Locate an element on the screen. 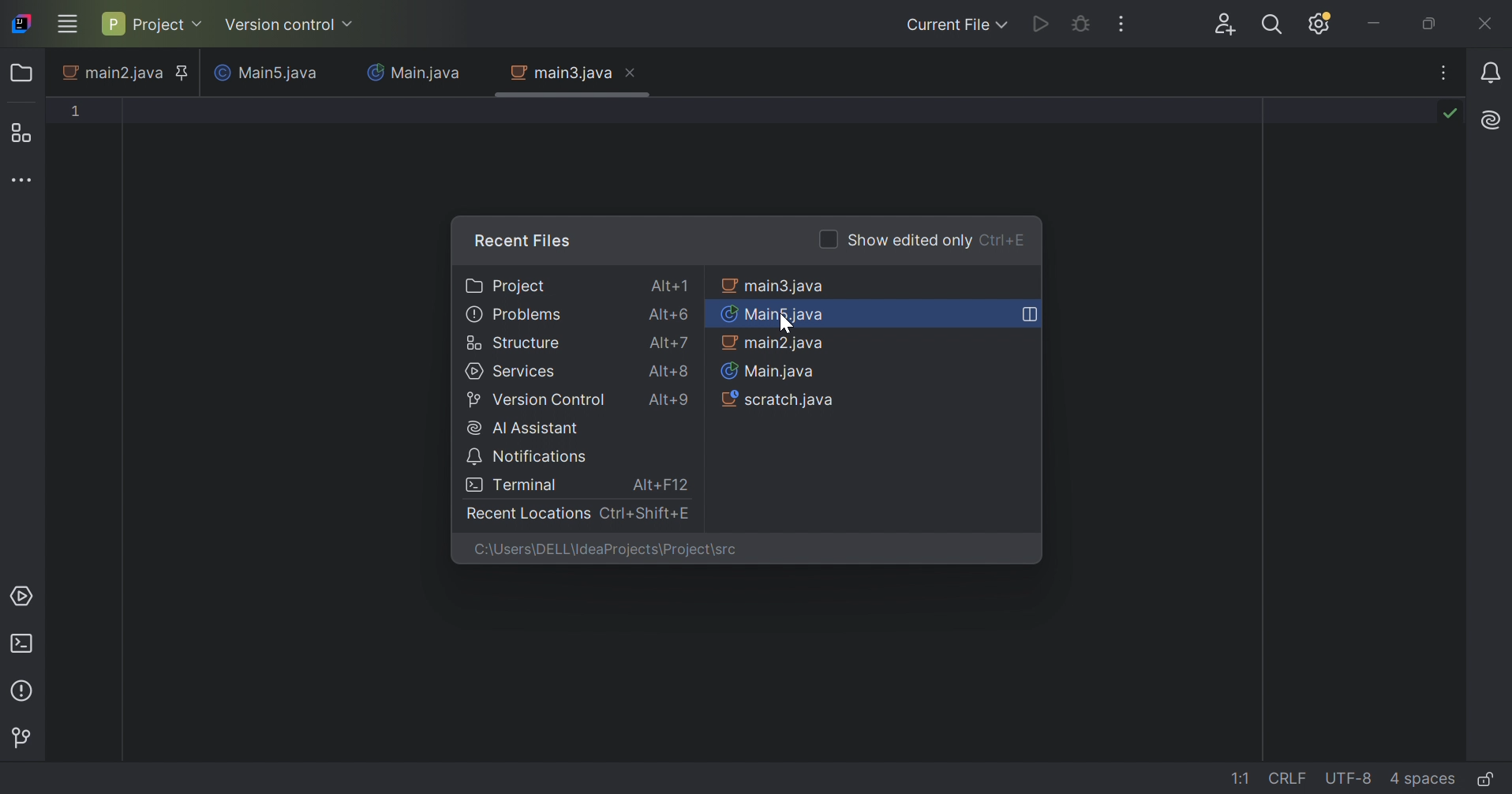 This screenshot has height=794, width=1512. Alt+6 is located at coordinates (670, 315).